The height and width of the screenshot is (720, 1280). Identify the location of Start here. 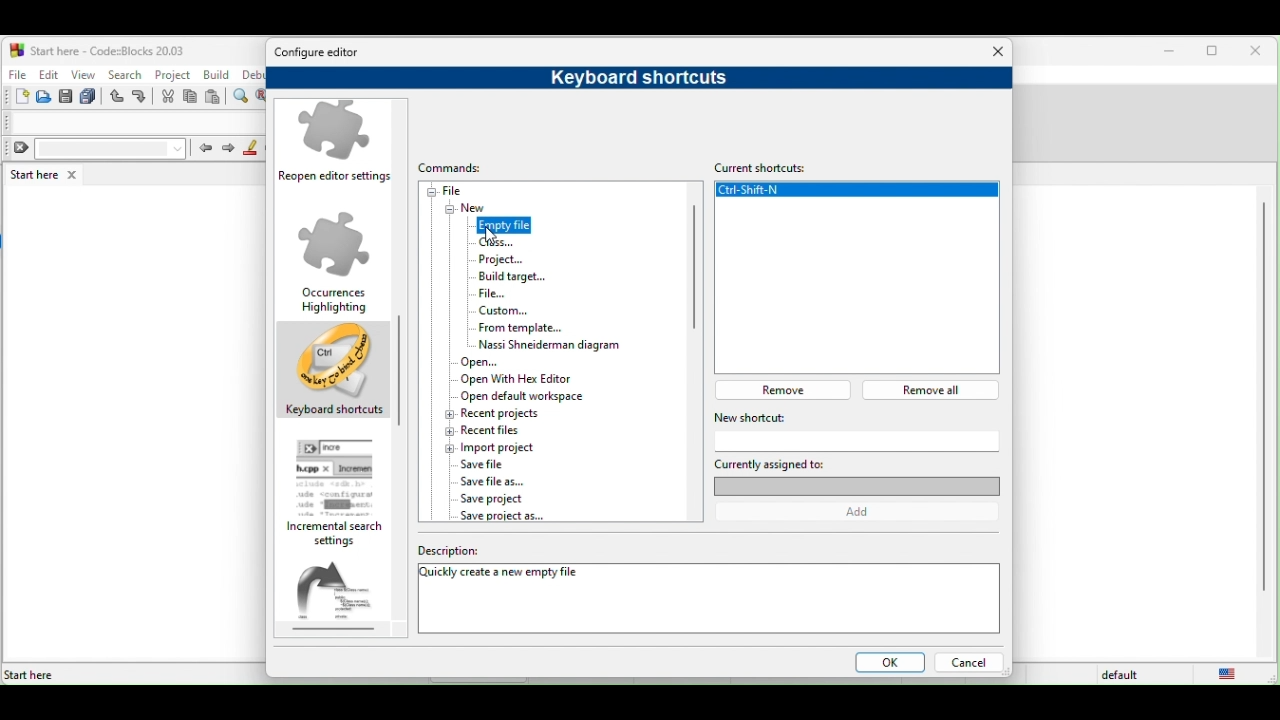
(30, 675).